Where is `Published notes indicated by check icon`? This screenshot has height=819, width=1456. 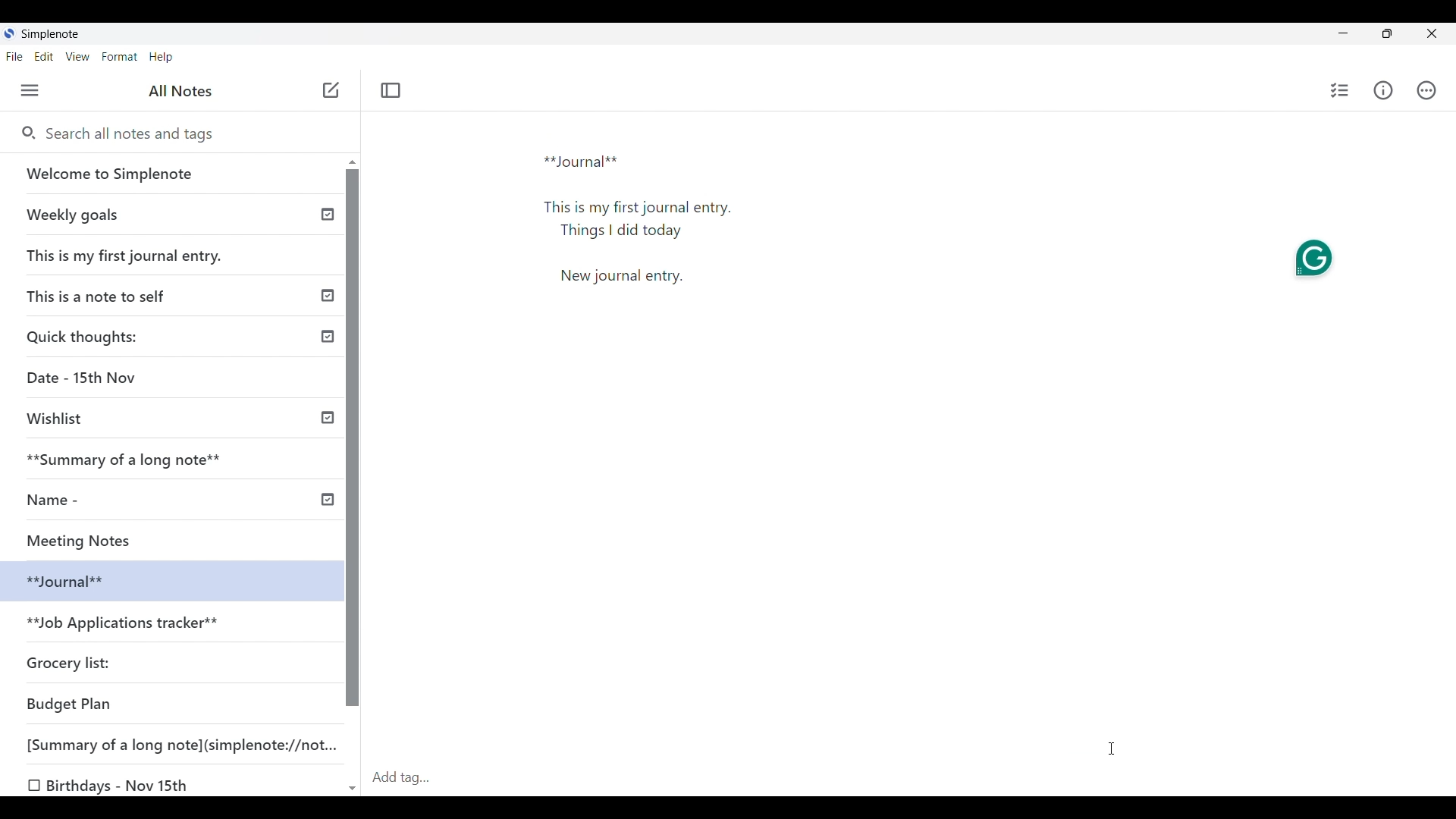
Published notes indicated by check icon is located at coordinates (328, 357).